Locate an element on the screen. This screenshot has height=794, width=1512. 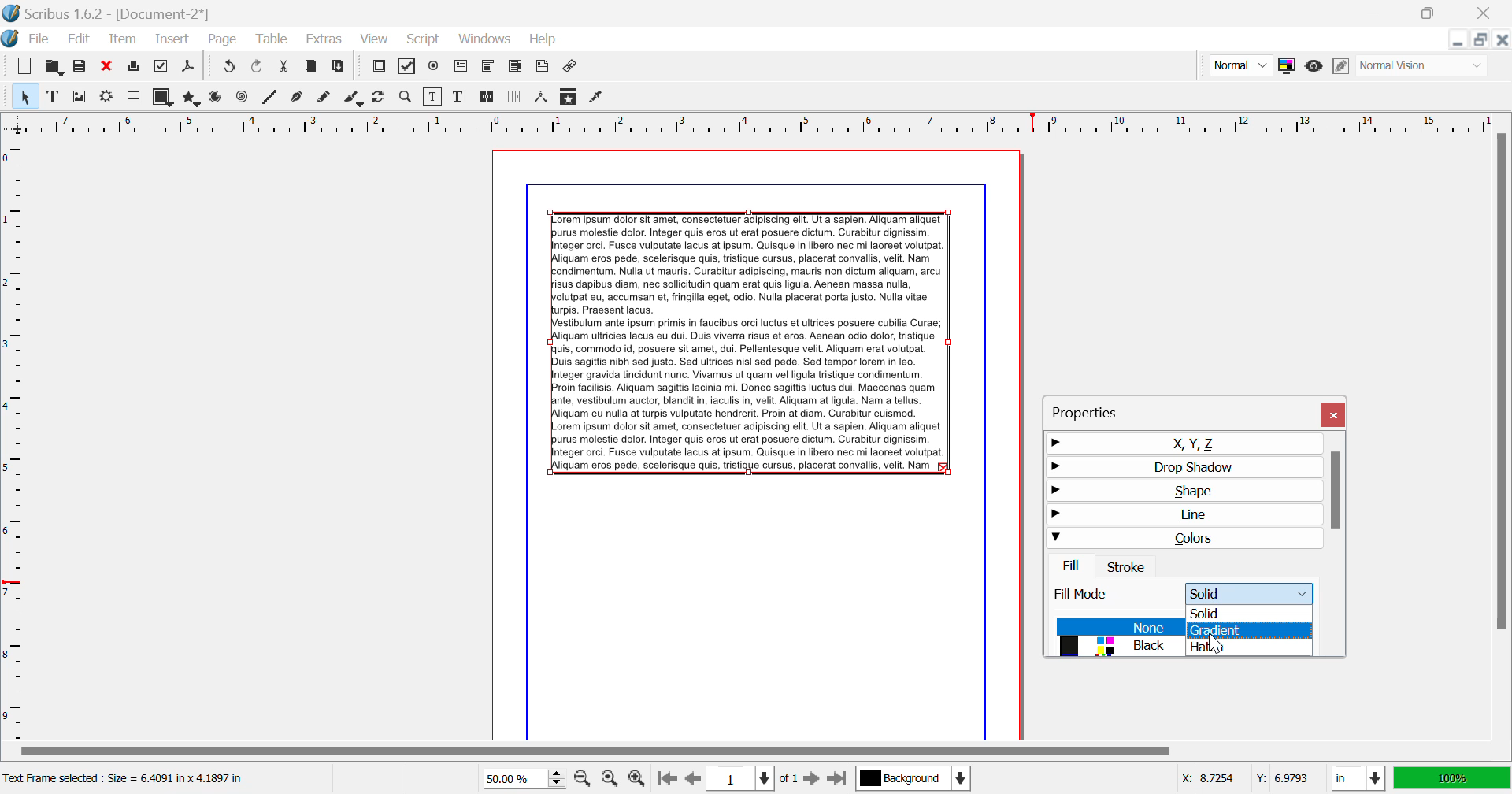
Windows is located at coordinates (485, 39).